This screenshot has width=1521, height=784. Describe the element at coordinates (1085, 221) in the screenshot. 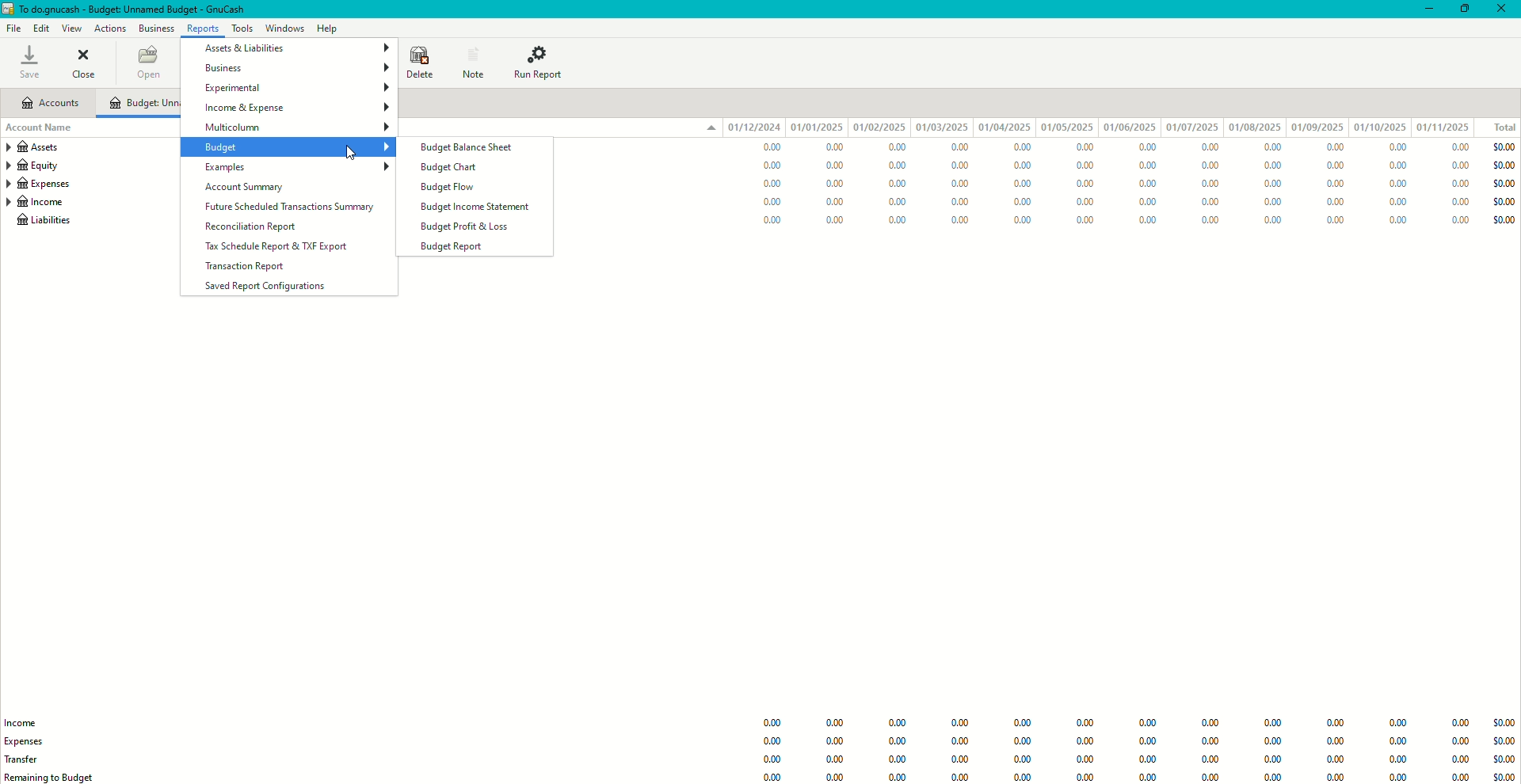

I see `0.00` at that location.